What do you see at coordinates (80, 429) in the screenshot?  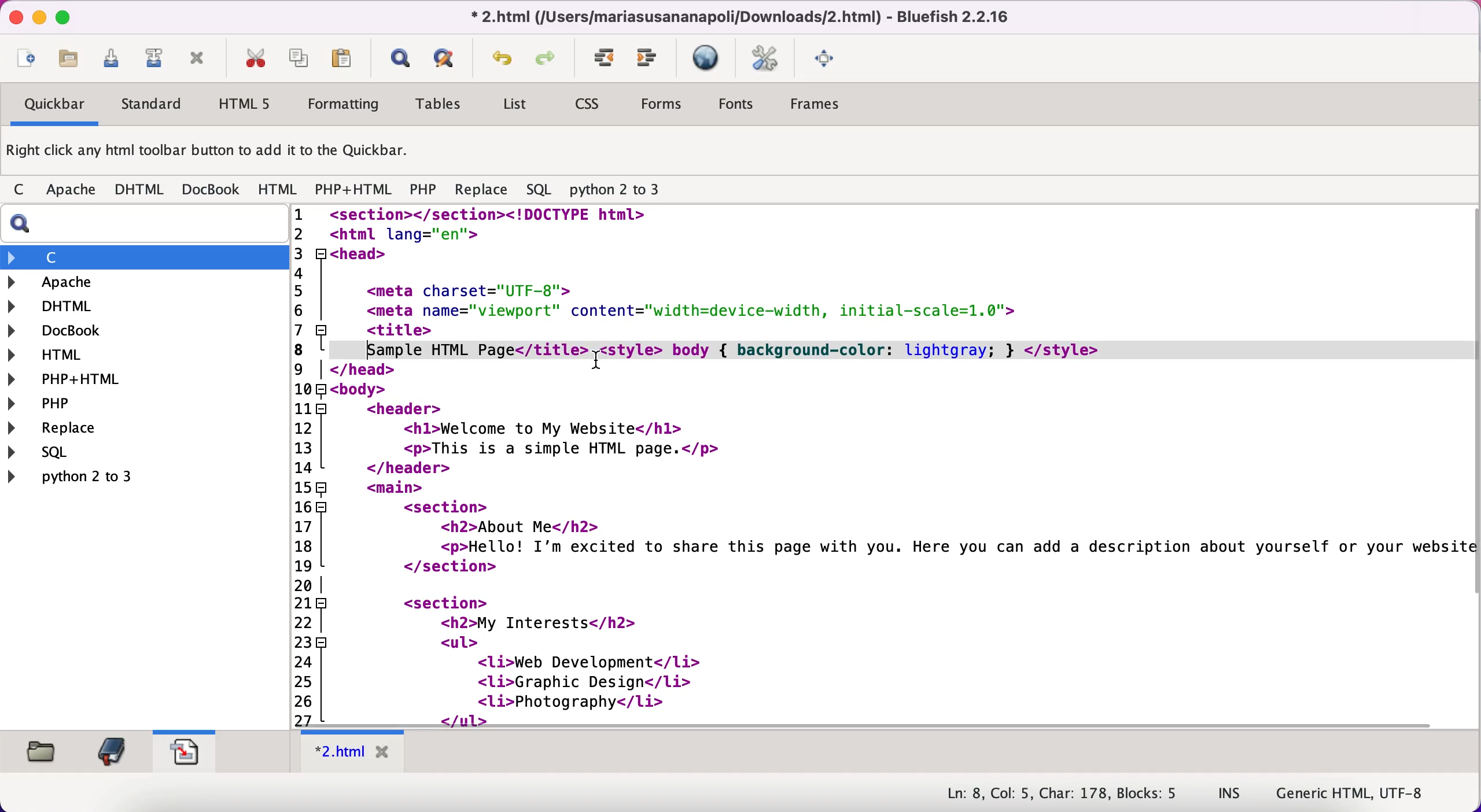 I see `replace` at bounding box center [80, 429].